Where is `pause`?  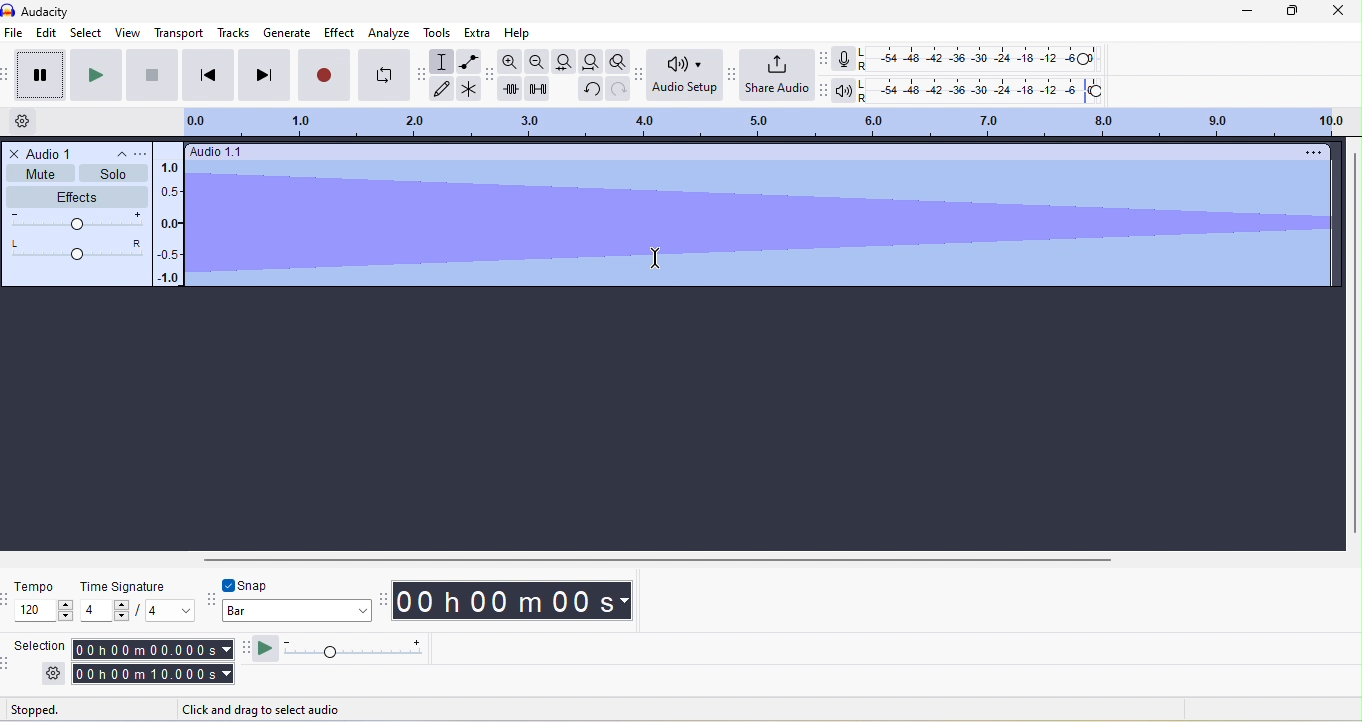 pause is located at coordinates (38, 75).